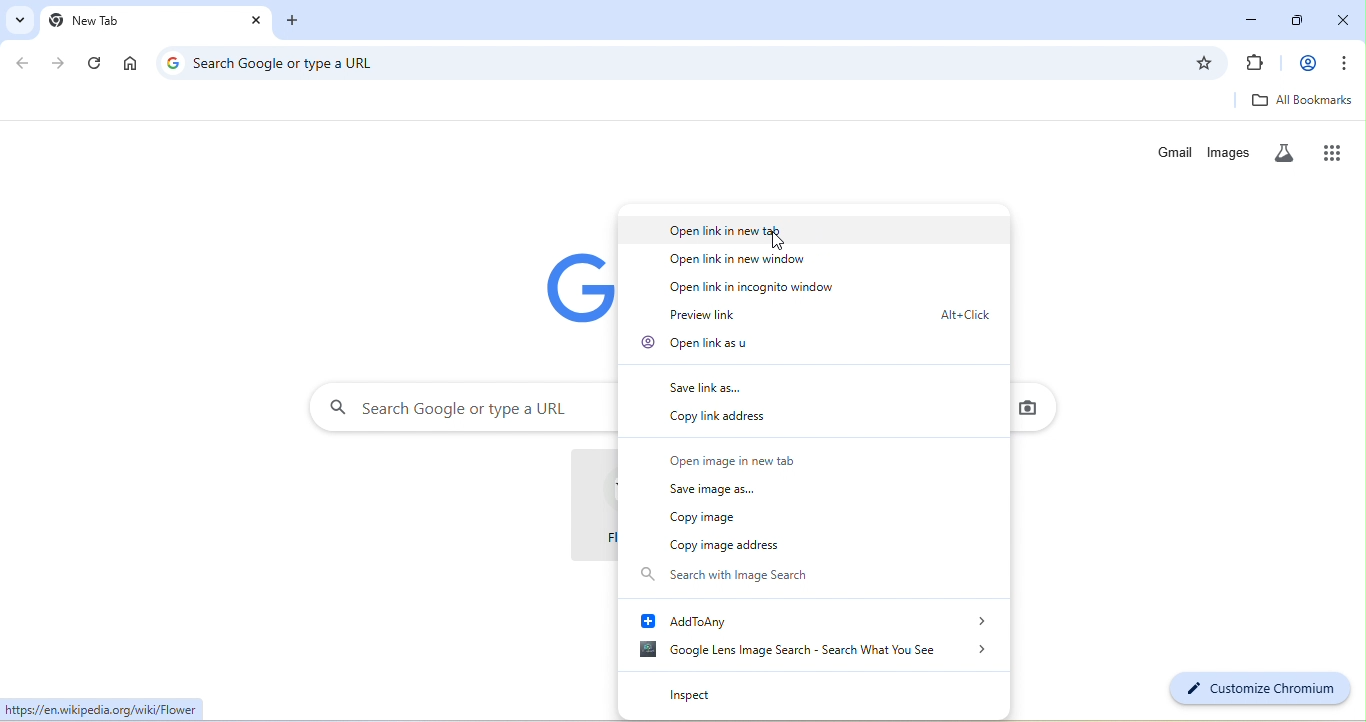 This screenshot has height=722, width=1366. I want to click on copy link address, so click(728, 417).